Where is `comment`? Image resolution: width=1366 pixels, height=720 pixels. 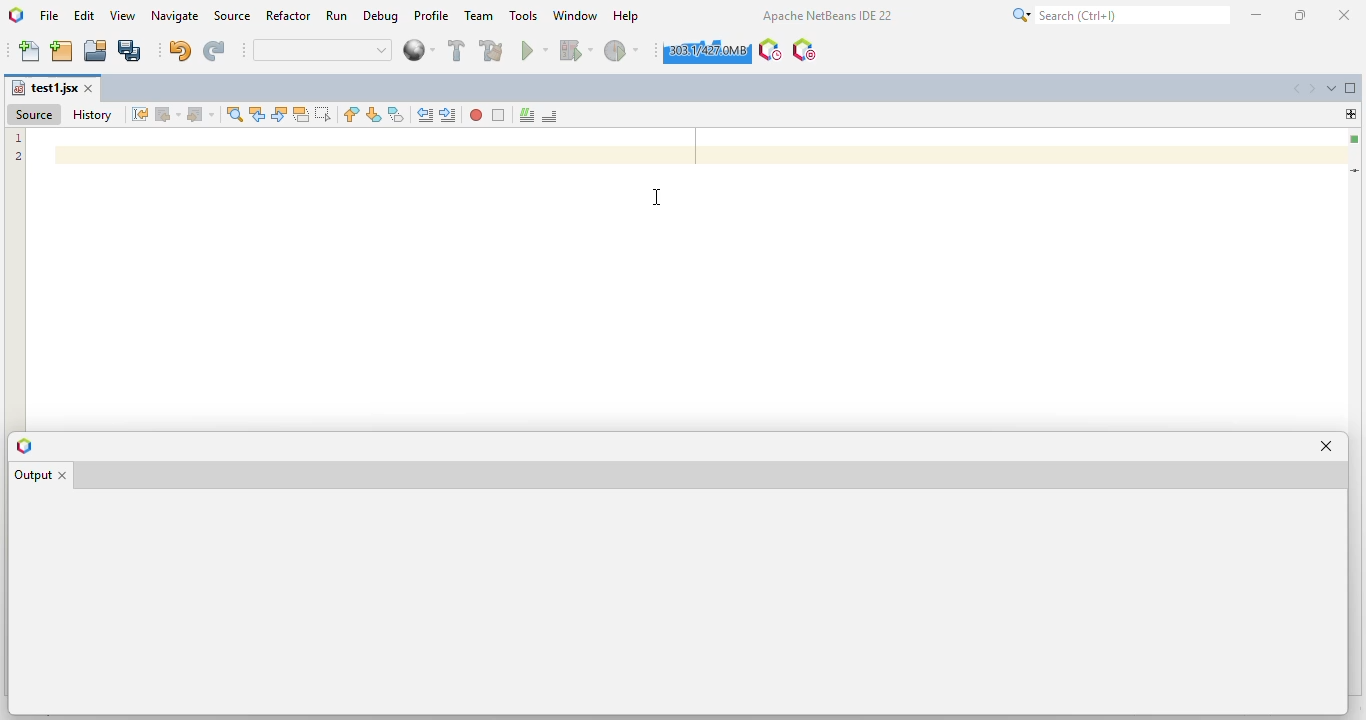 comment is located at coordinates (527, 116).